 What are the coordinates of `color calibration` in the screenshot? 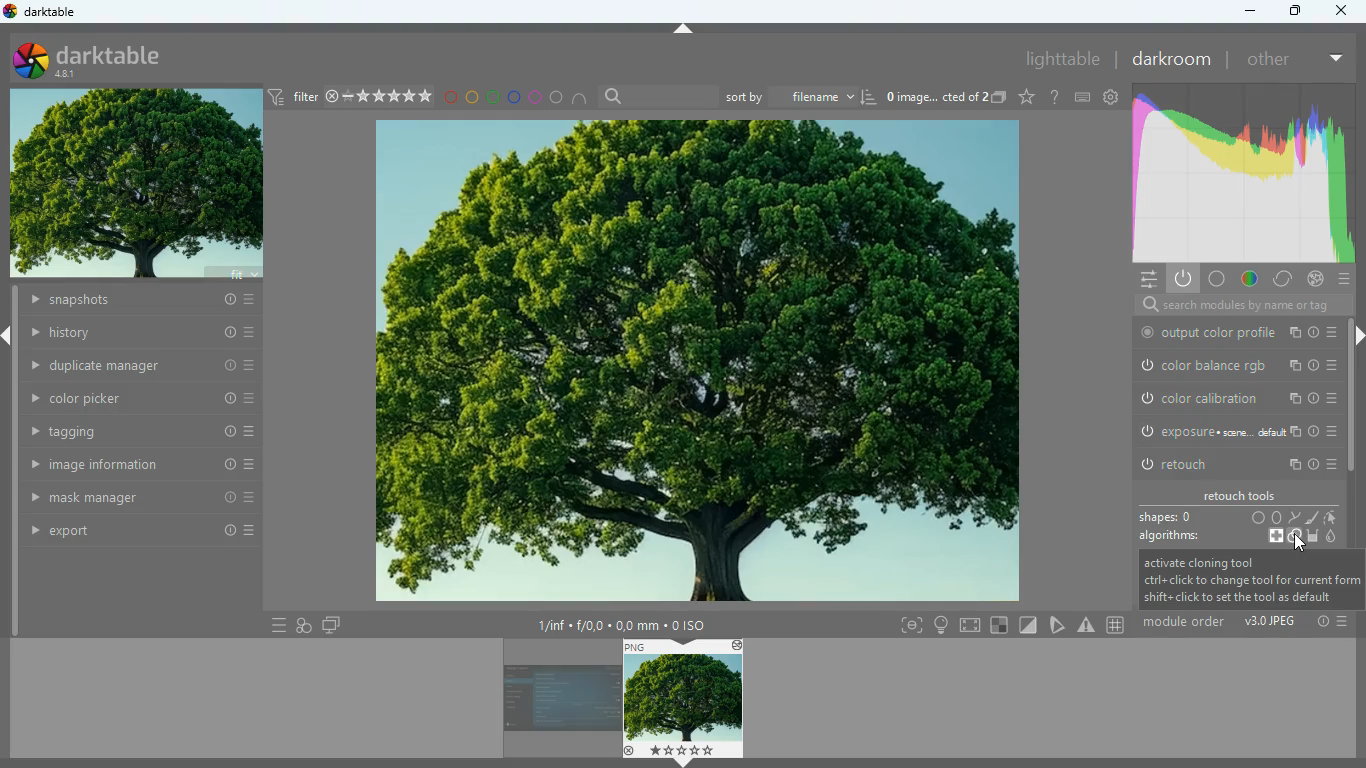 It's located at (1235, 399).